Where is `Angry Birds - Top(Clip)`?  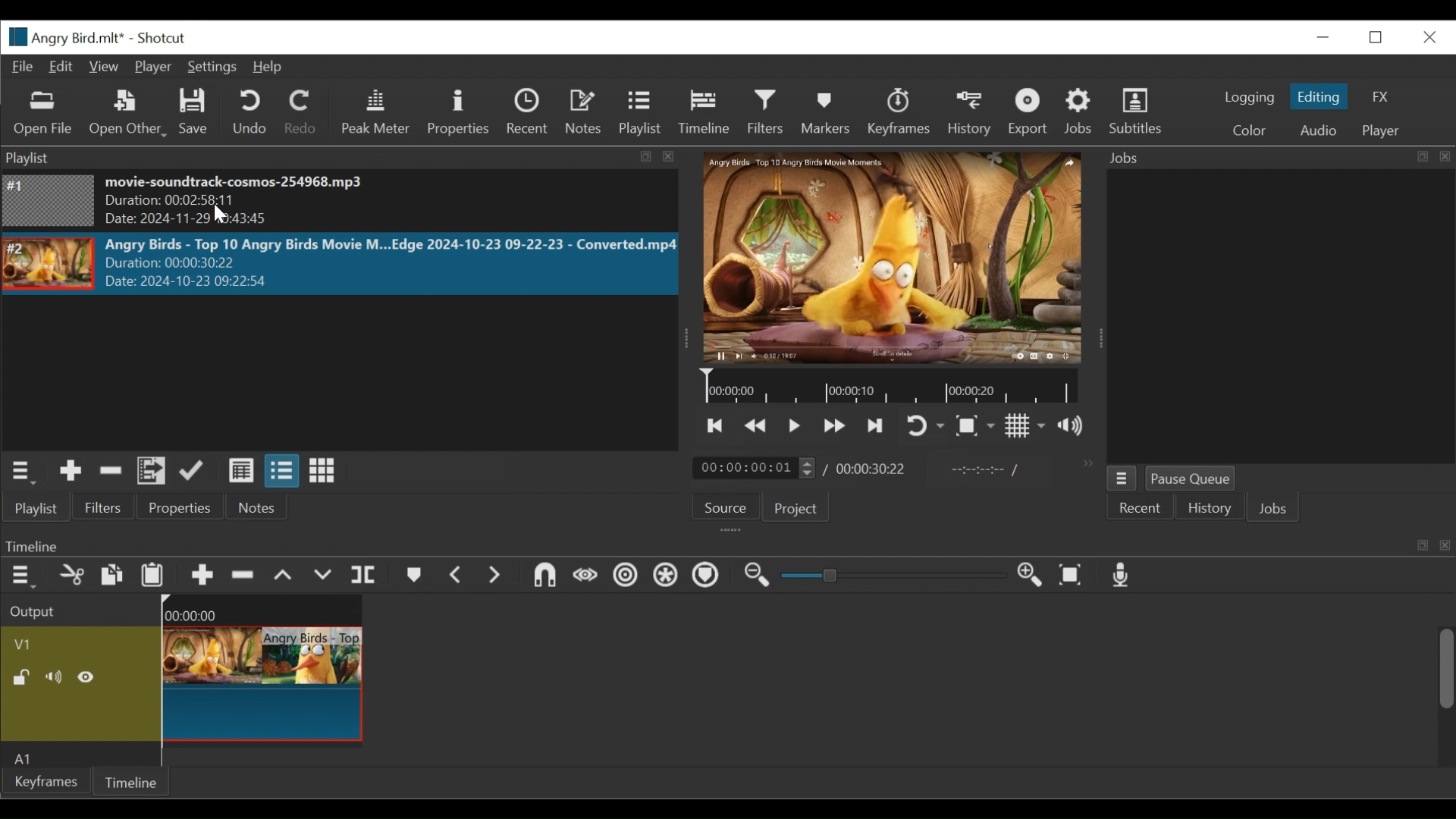
Angry Birds - Top(Clip) is located at coordinates (262, 684).